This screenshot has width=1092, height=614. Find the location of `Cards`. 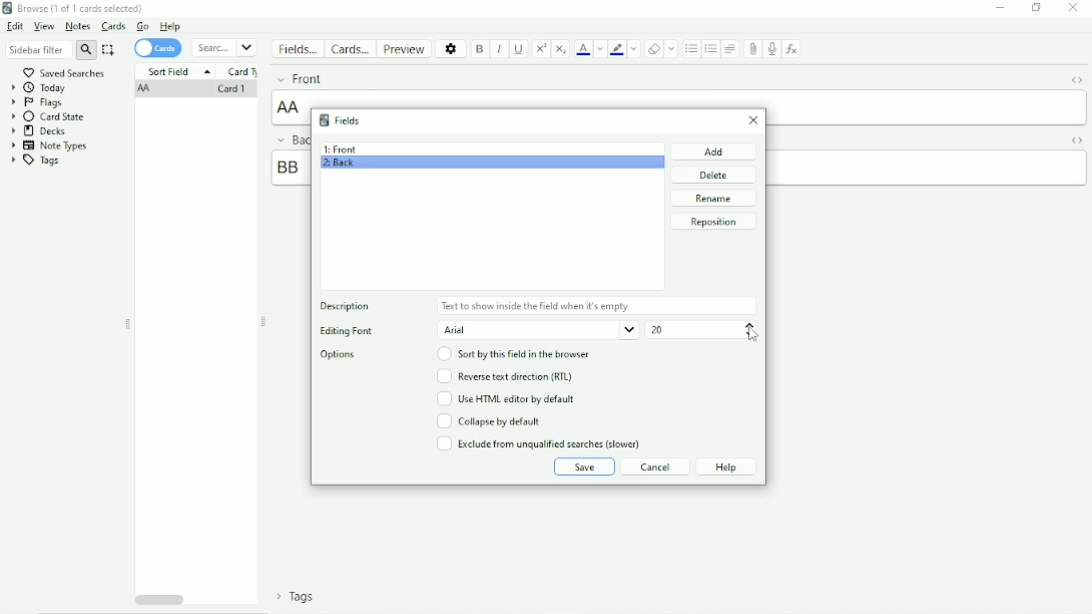

Cards is located at coordinates (158, 49).